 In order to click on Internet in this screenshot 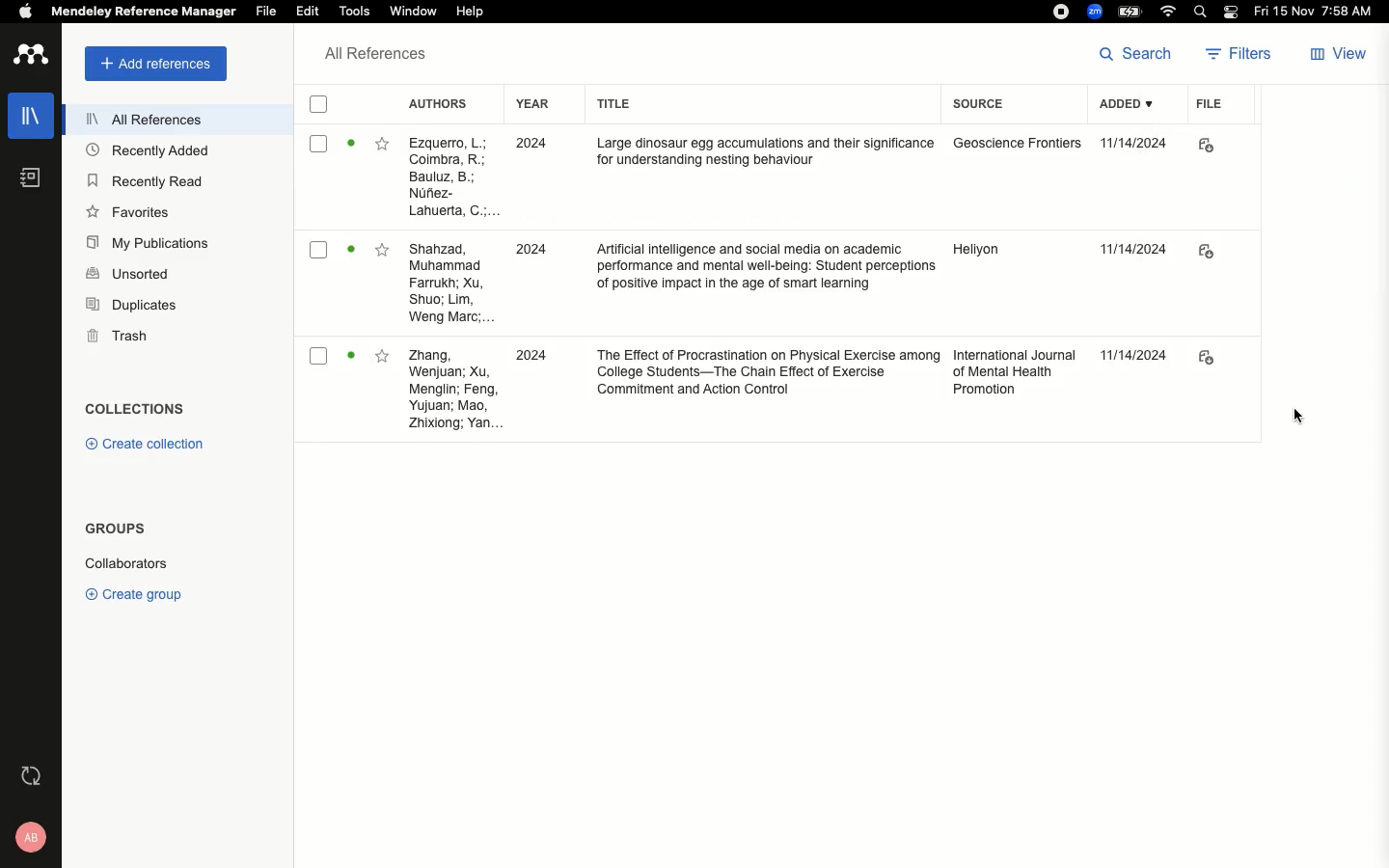, I will do `click(1168, 13)`.